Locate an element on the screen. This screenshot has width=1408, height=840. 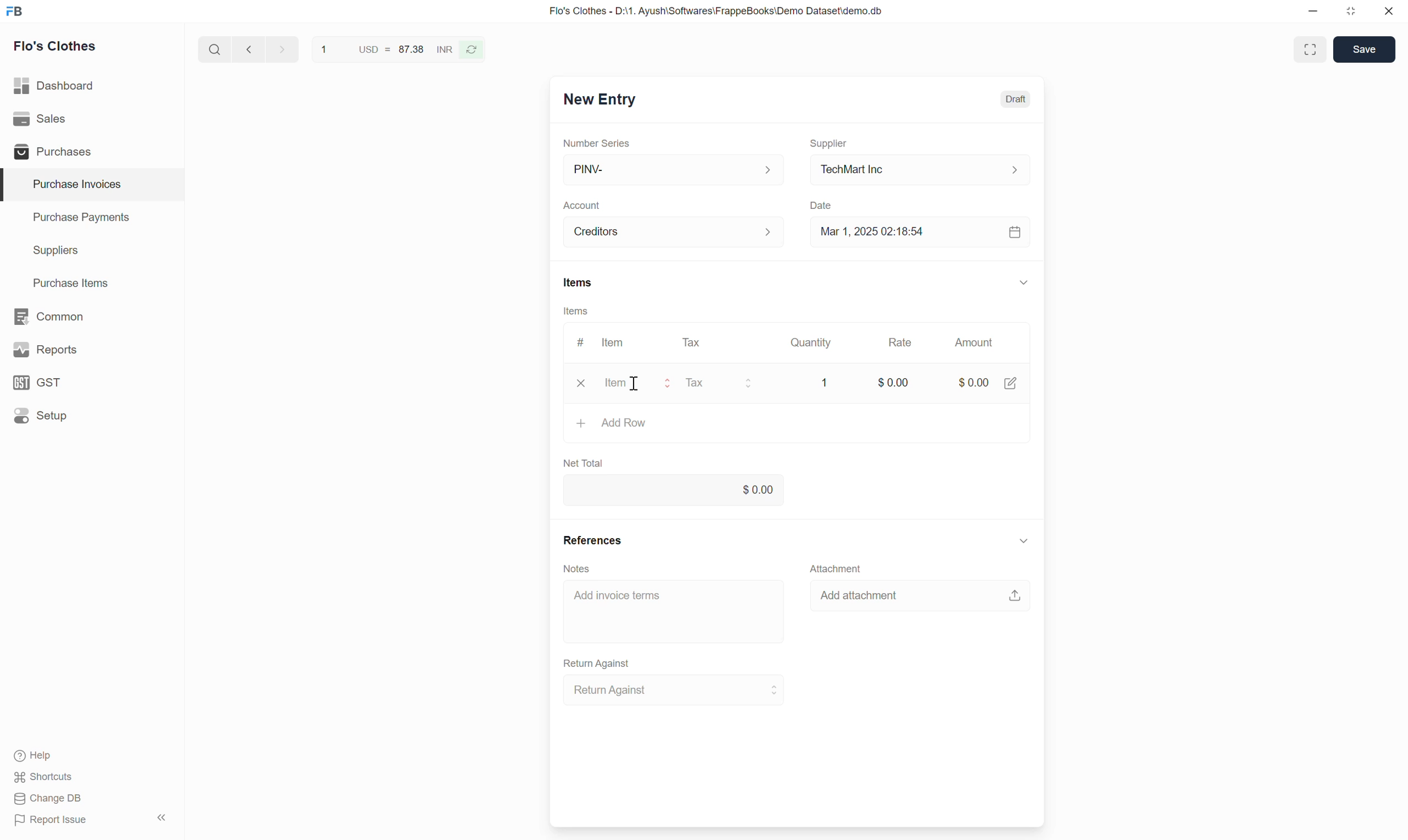
Quantity is located at coordinates (809, 342).